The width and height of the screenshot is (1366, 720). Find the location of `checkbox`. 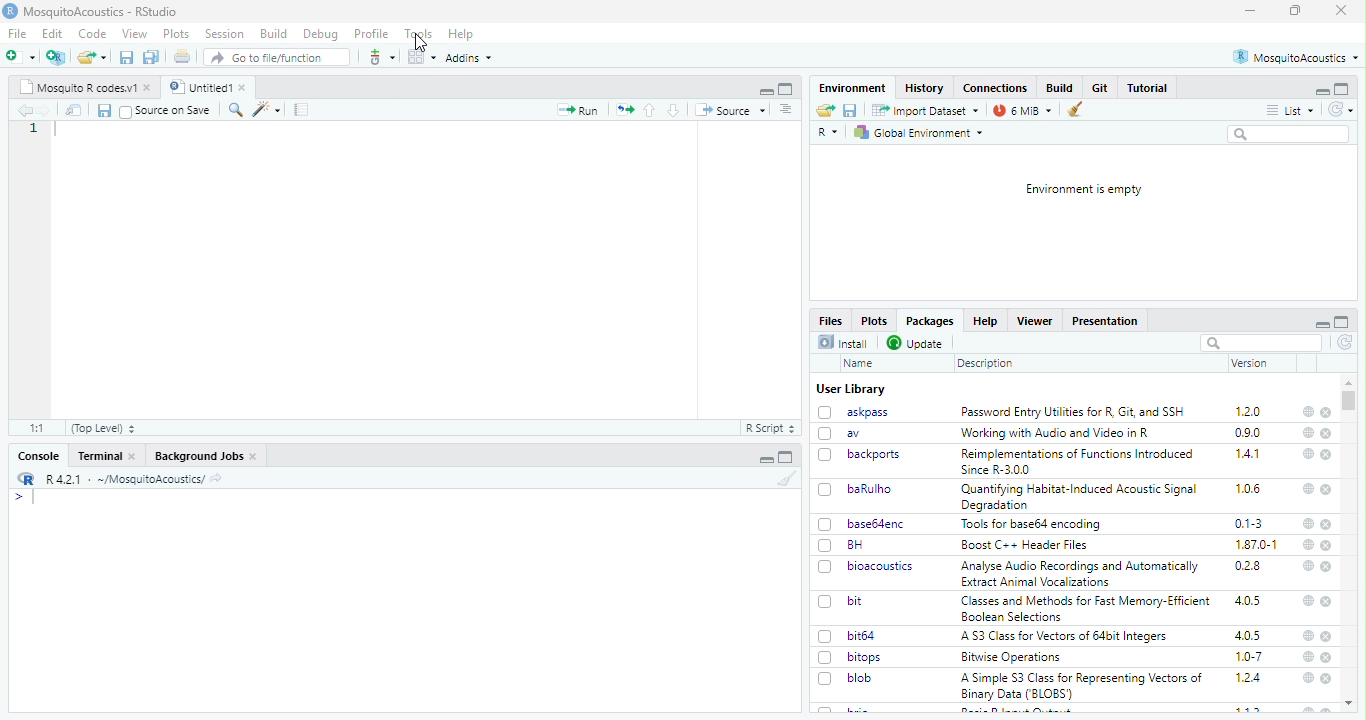

checkbox is located at coordinates (826, 658).